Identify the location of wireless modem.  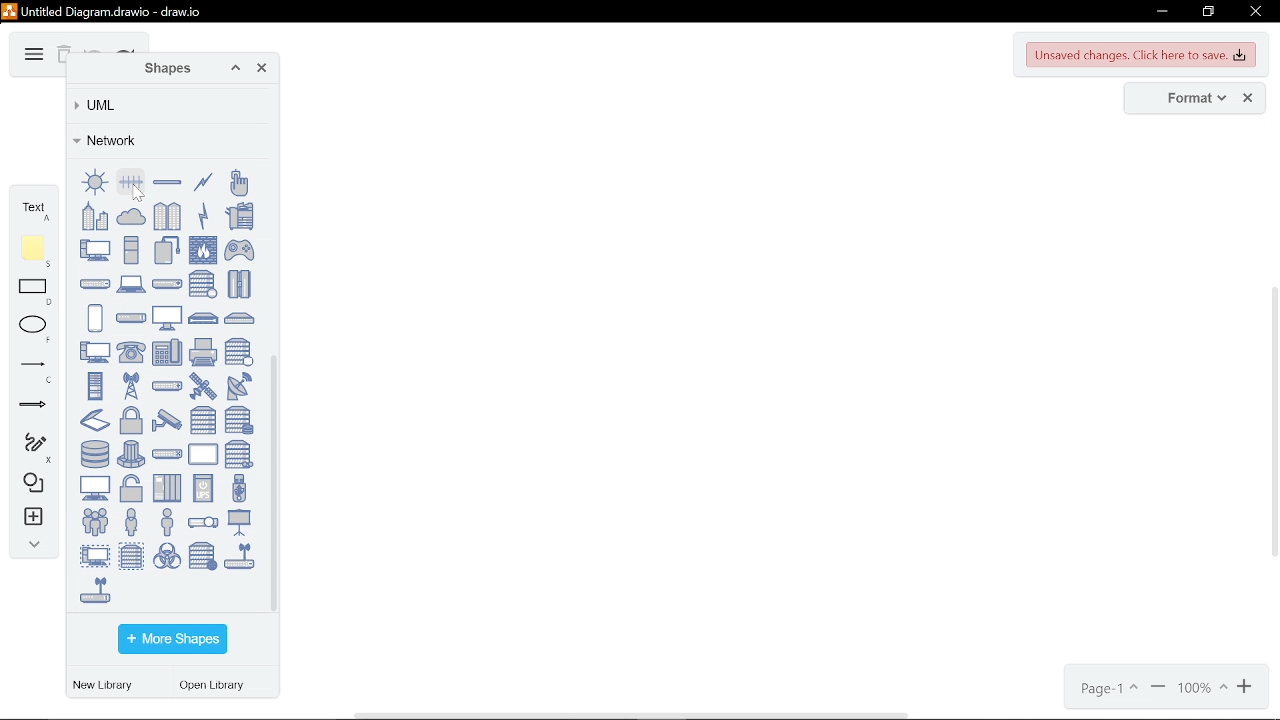
(95, 589).